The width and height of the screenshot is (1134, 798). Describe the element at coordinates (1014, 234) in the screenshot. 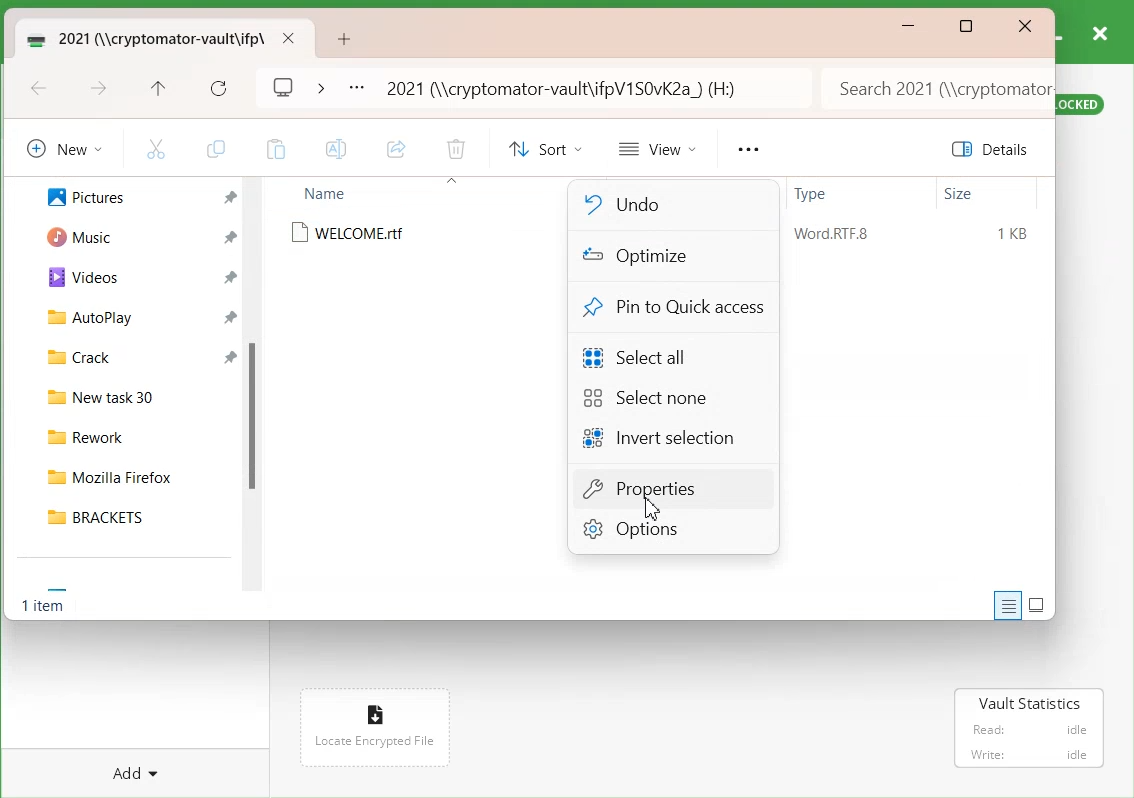

I see `1 KB` at that location.